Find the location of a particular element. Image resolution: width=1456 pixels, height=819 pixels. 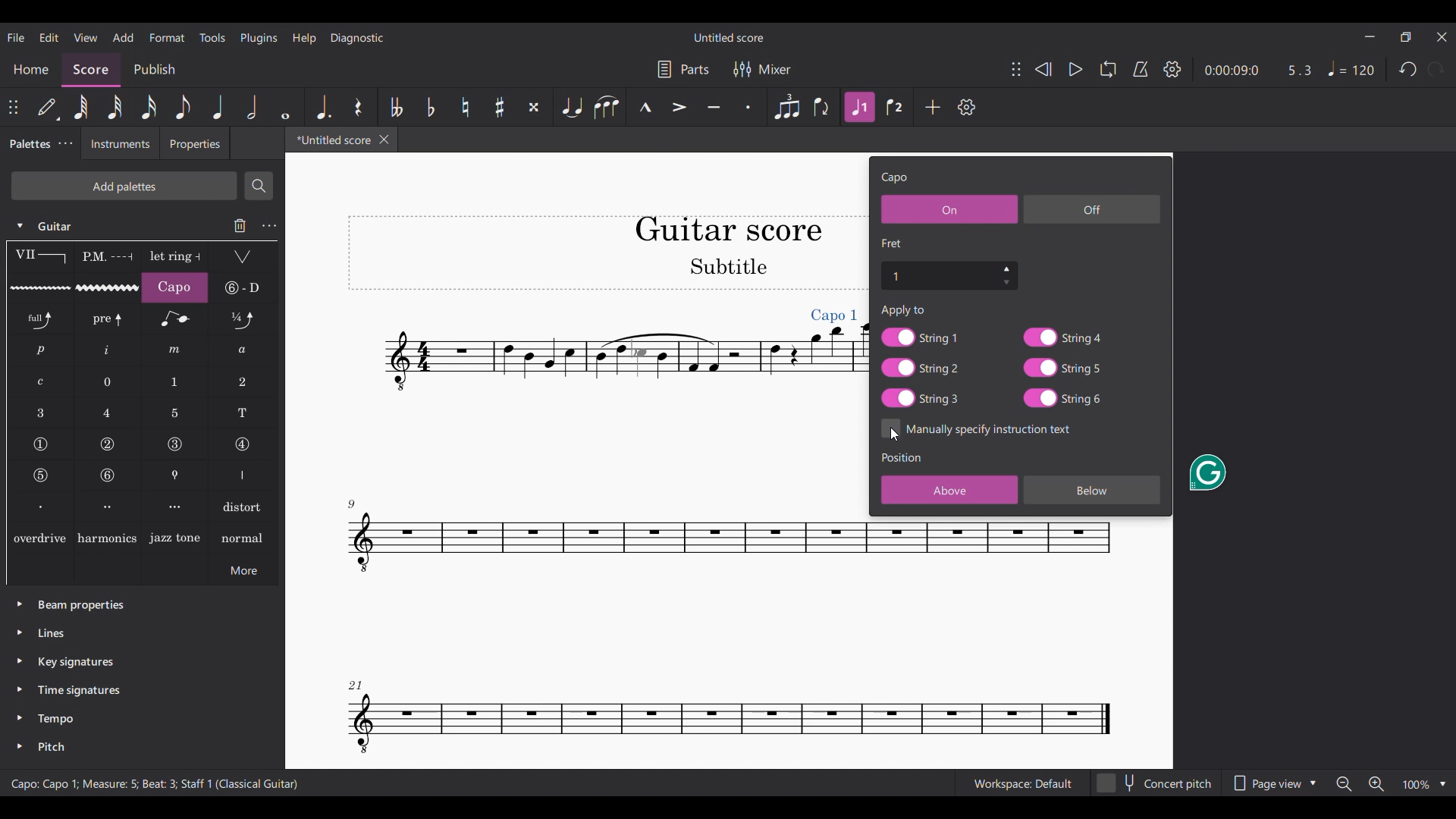

String 6 toggle is located at coordinates (1064, 398).